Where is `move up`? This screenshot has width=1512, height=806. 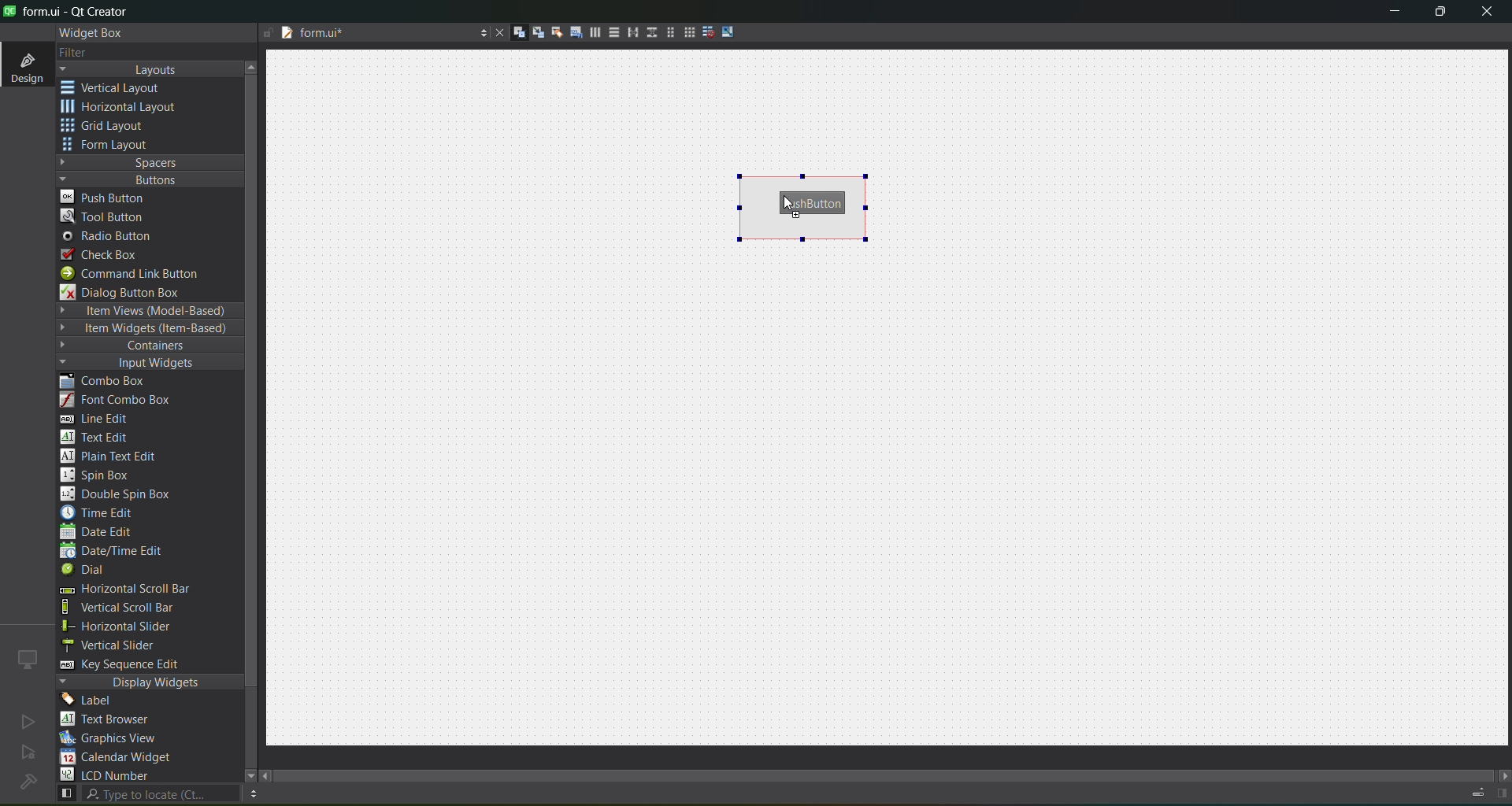
move up is located at coordinates (254, 65).